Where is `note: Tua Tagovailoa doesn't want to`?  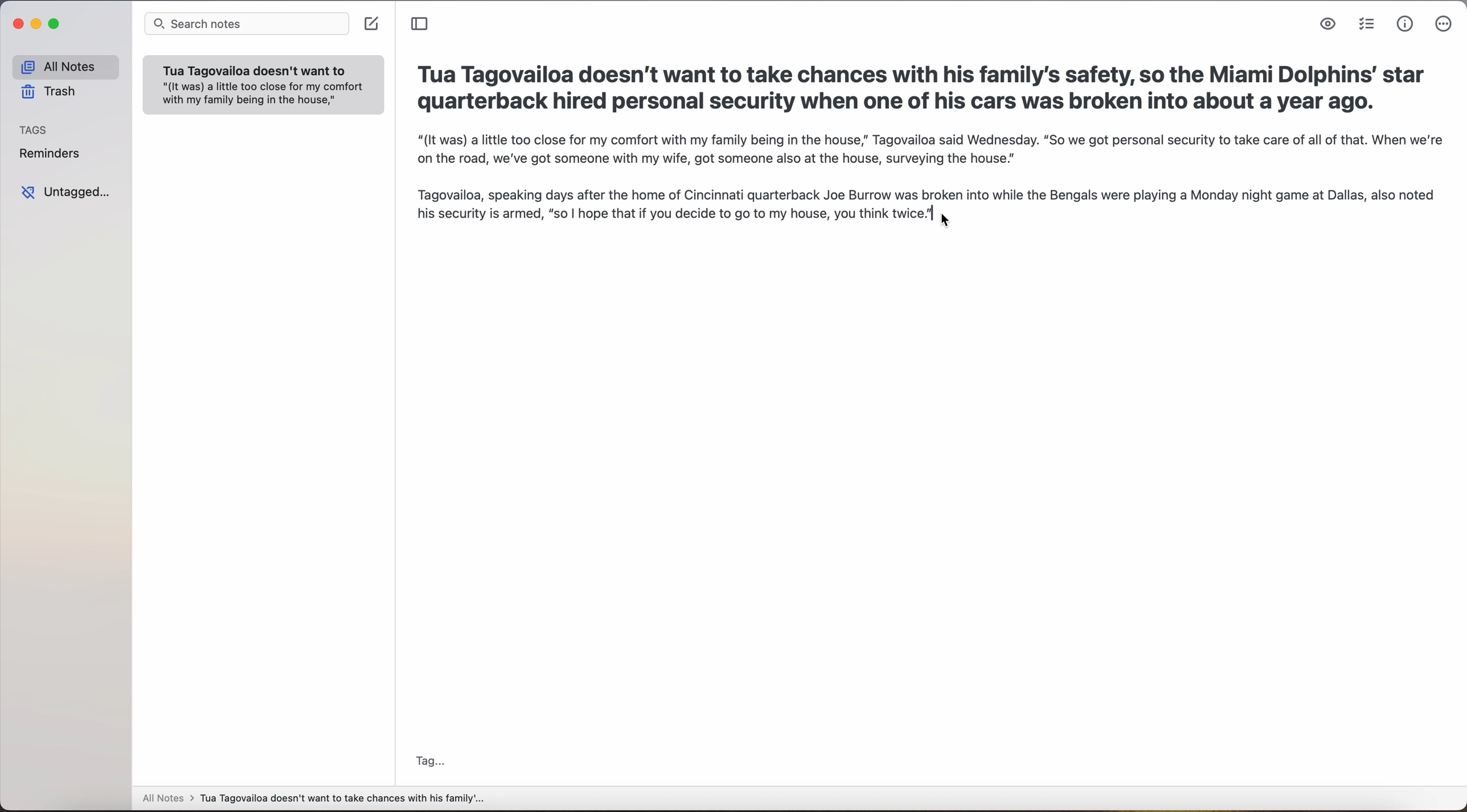
note: Tua Tagovailoa doesn't want to is located at coordinates (263, 85).